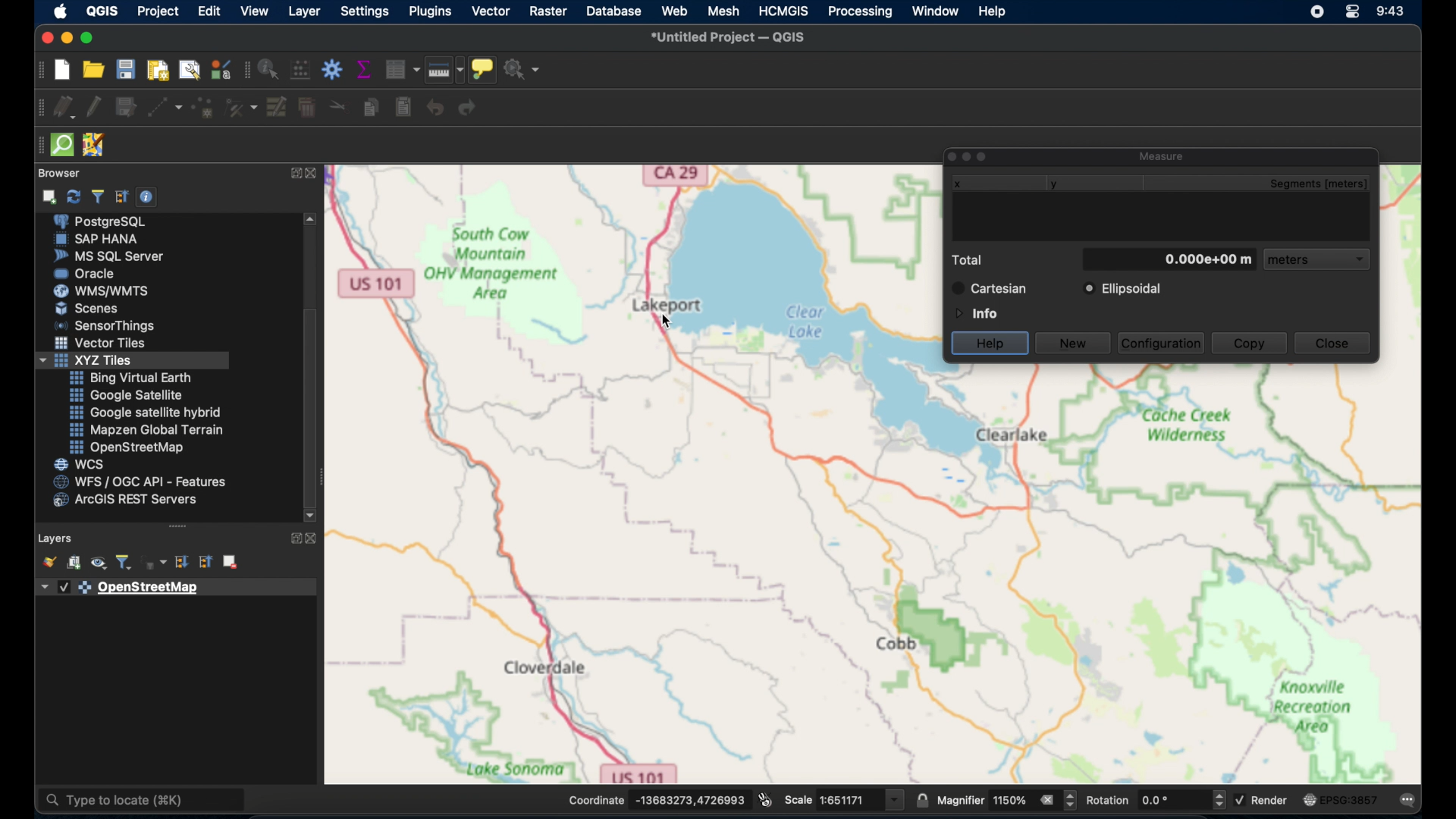  I want to click on help, so click(993, 13).